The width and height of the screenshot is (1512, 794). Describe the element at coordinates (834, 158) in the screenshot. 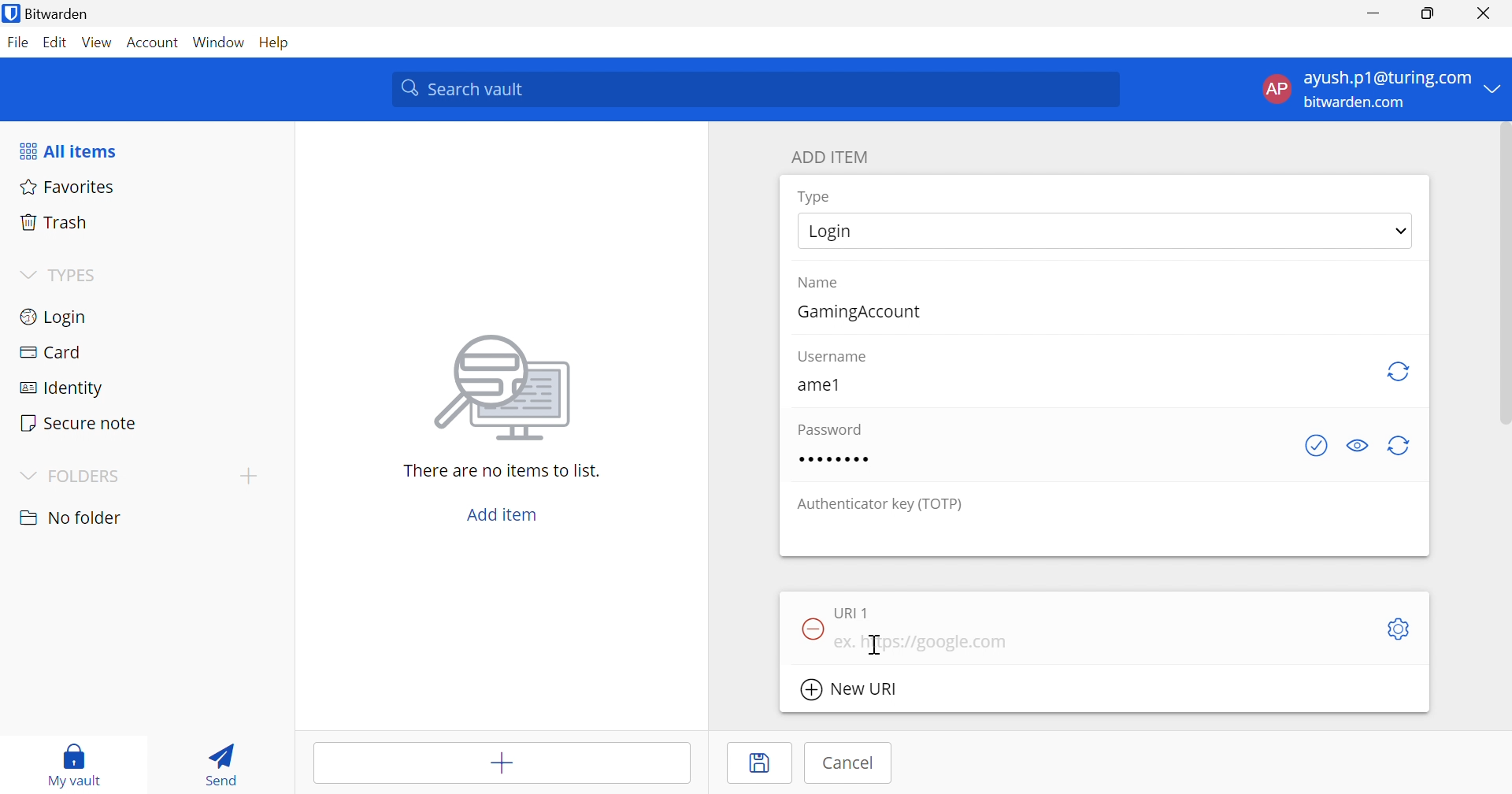

I see `ADD ITEM` at that location.